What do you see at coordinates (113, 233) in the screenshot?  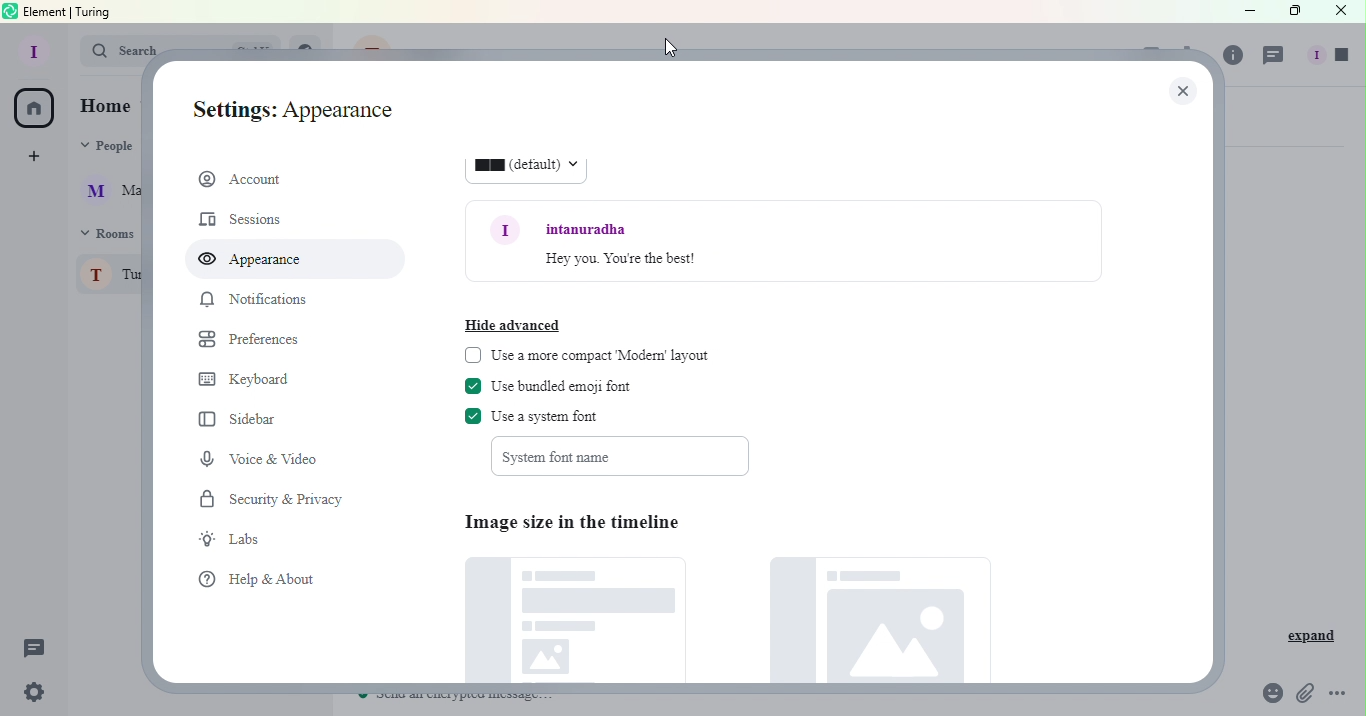 I see `Rooms` at bounding box center [113, 233].